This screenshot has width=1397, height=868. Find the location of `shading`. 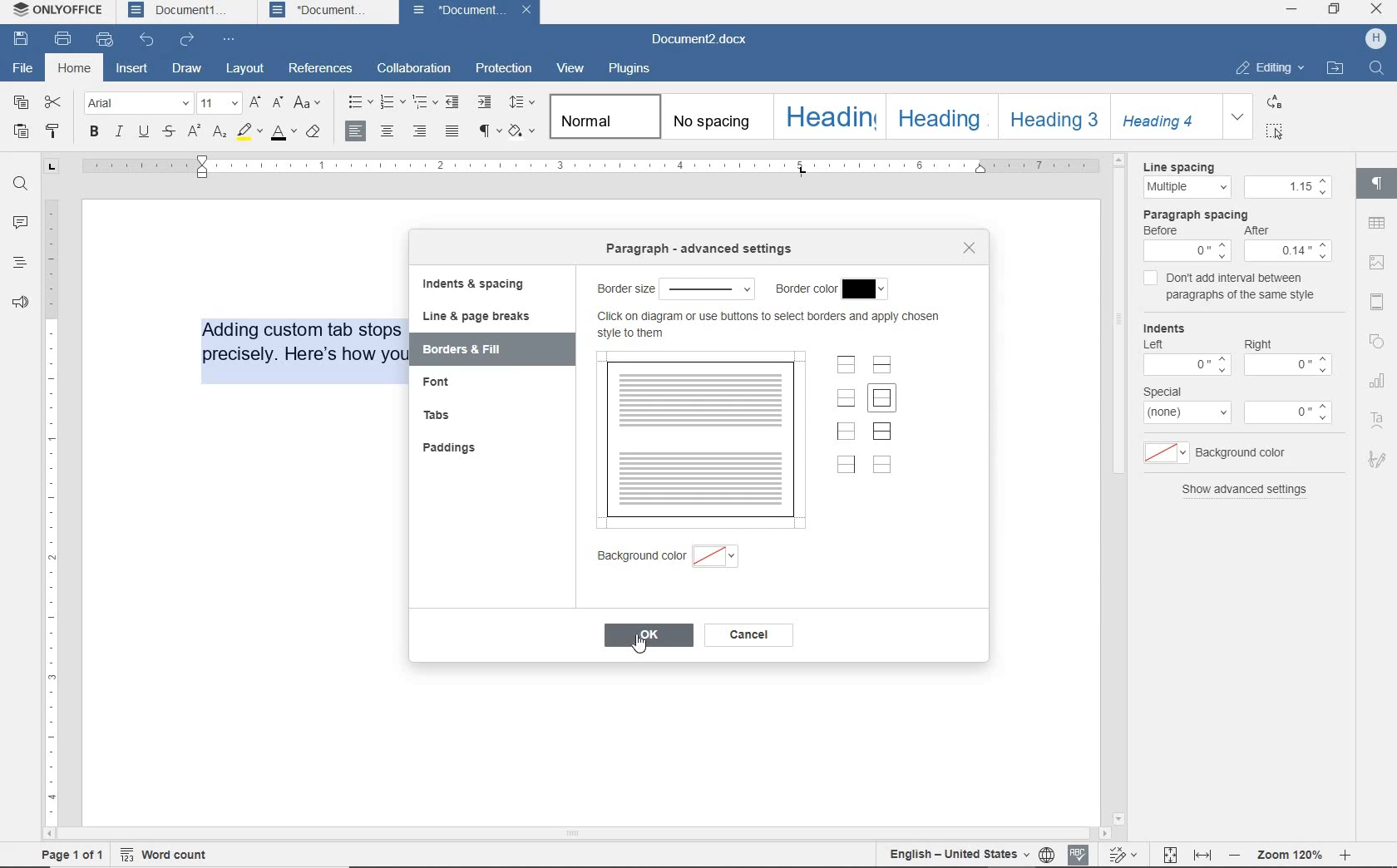

shading is located at coordinates (521, 131).